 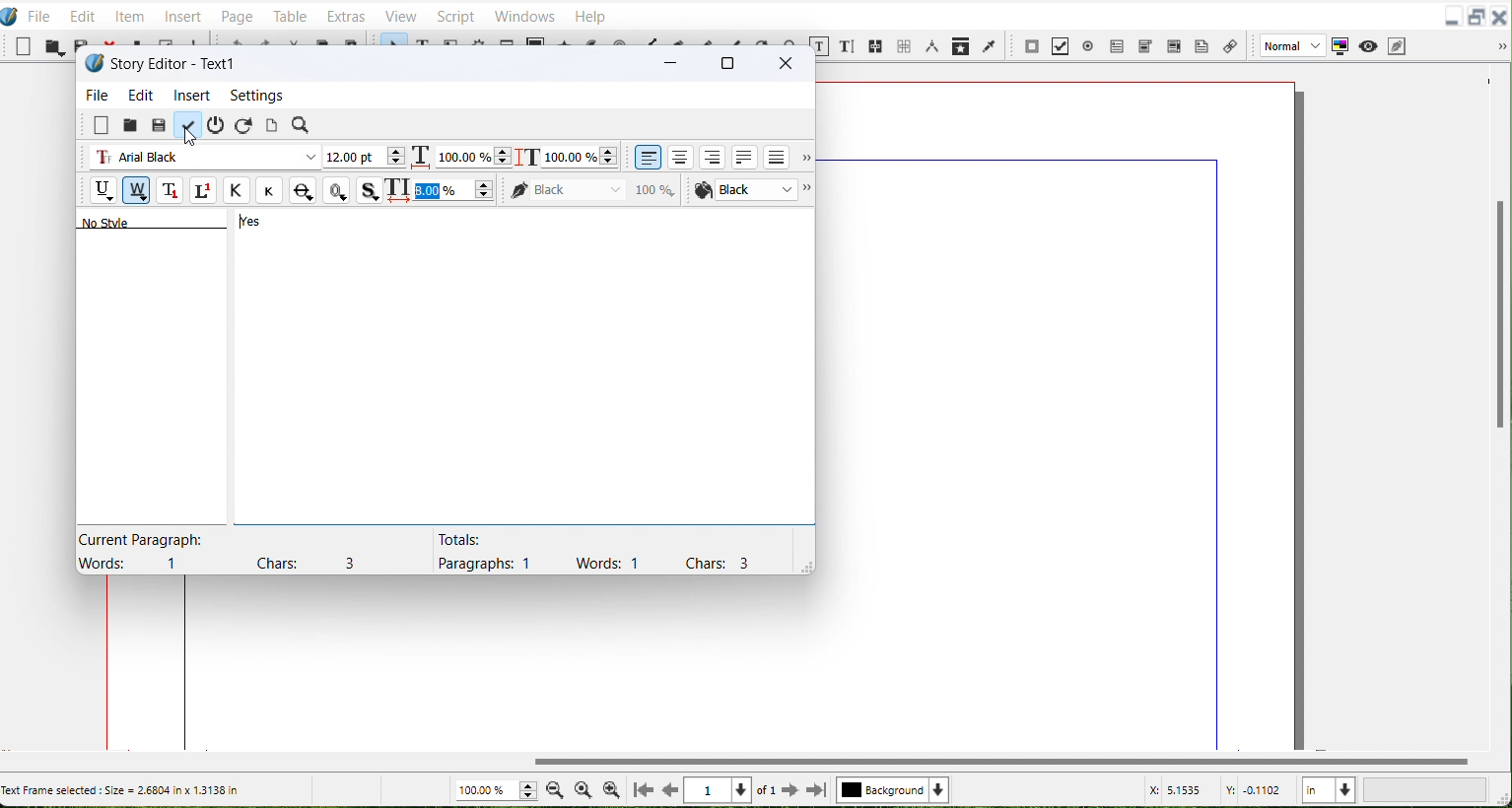 I want to click on PDF push button, so click(x=1032, y=44).